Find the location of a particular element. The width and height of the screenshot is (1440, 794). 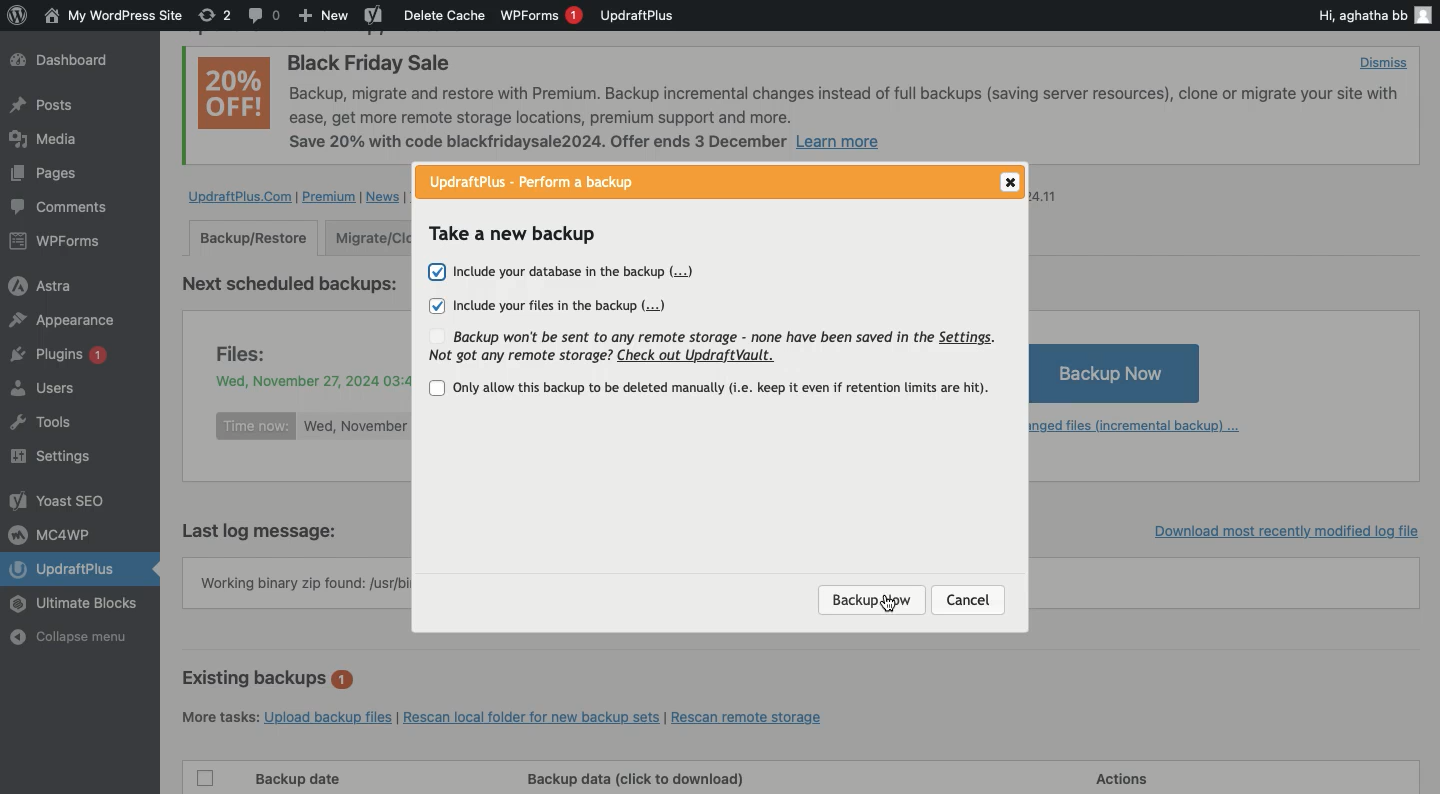

Include your database in the backup is located at coordinates (563, 273).